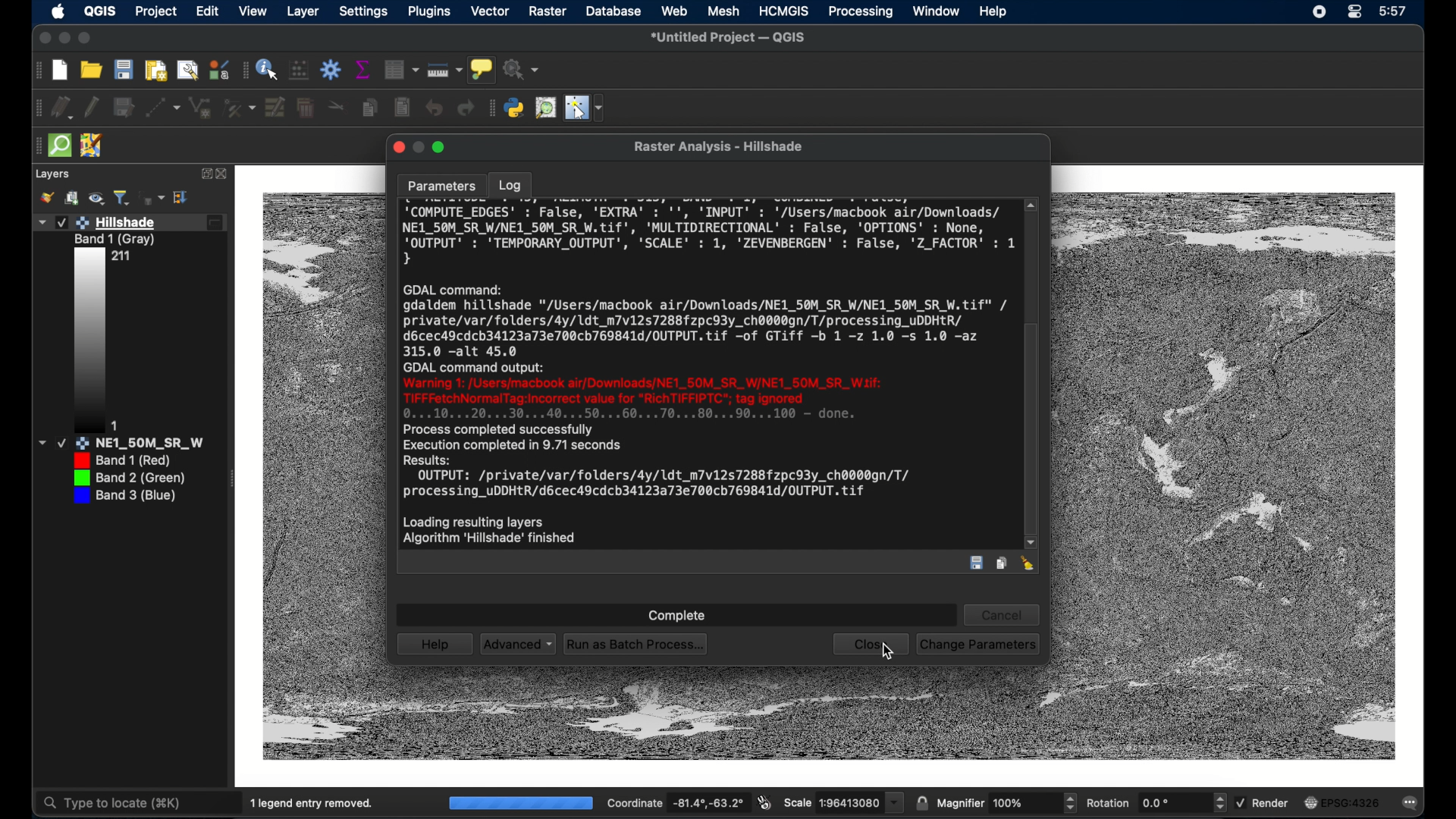 This screenshot has height=819, width=1456. I want to click on copy log entry, so click(1001, 563).